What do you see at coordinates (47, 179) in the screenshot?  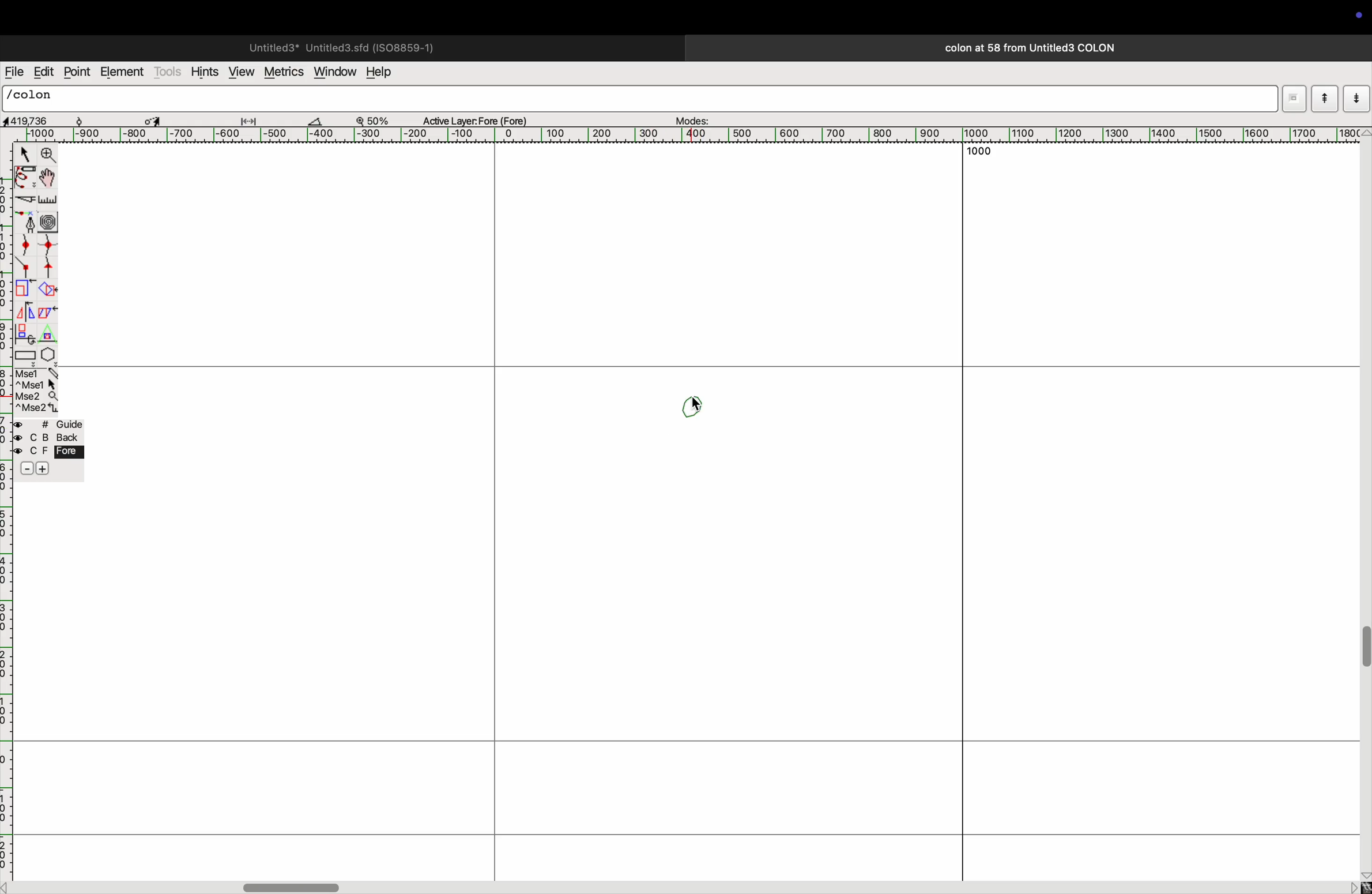 I see `toogle` at bounding box center [47, 179].